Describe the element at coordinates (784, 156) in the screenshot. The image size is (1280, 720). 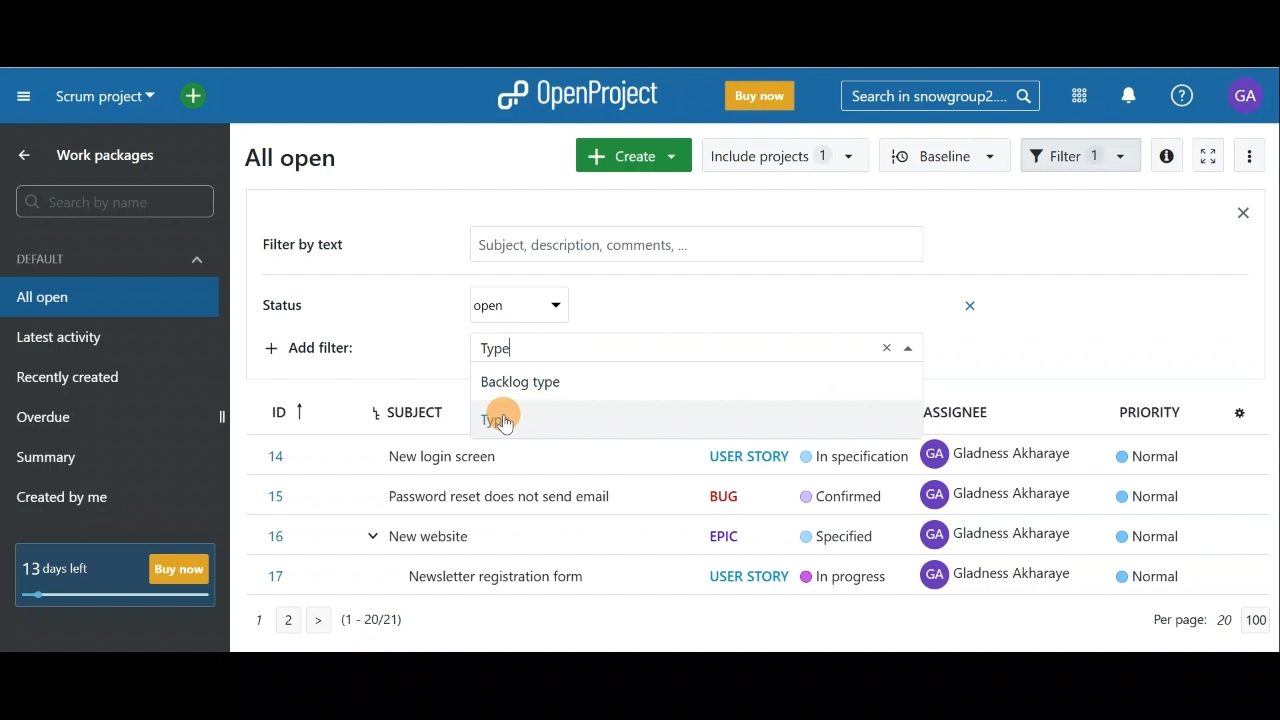
I see `Include projects` at that location.